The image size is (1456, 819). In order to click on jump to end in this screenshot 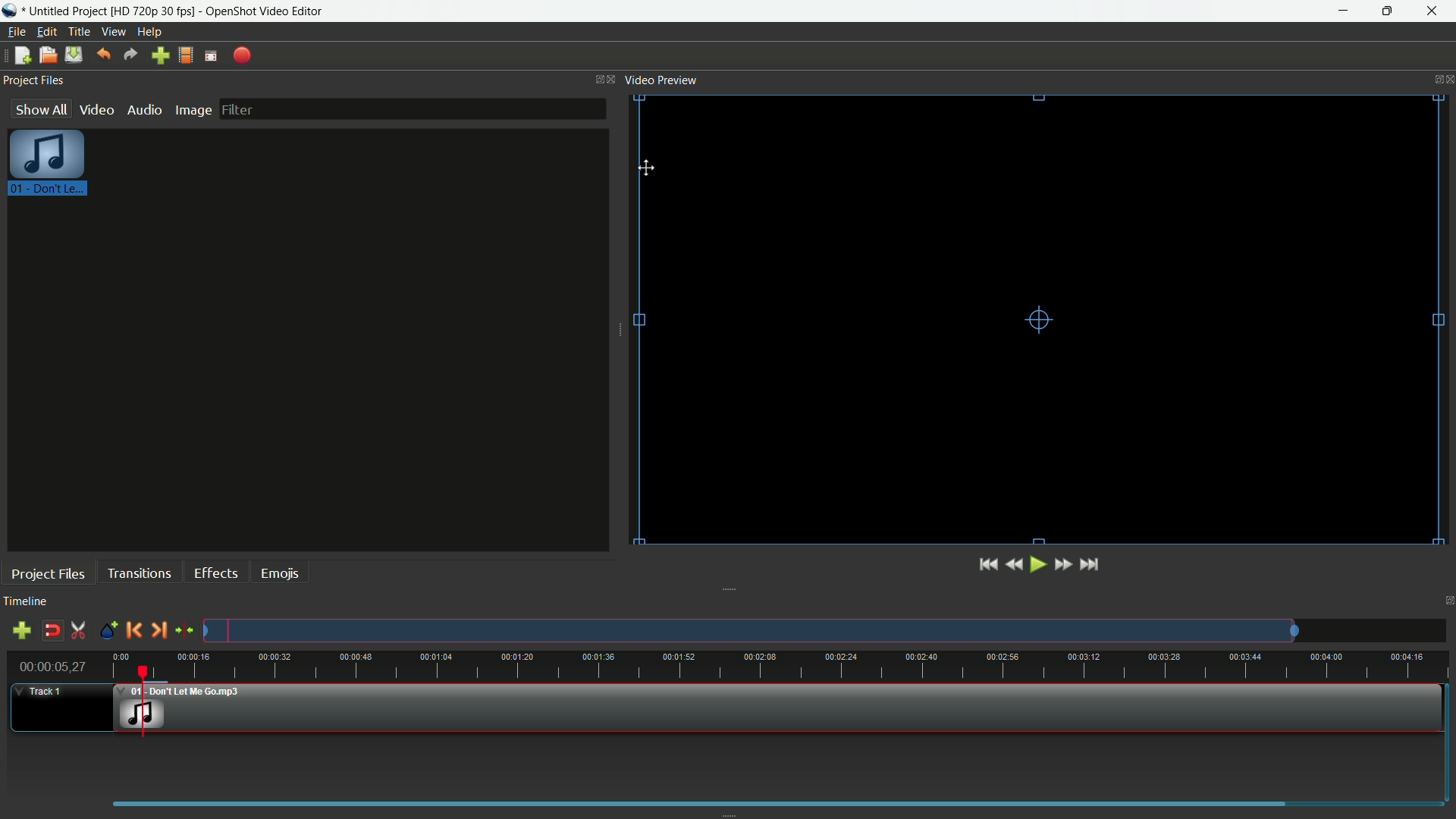, I will do `click(1091, 564)`.